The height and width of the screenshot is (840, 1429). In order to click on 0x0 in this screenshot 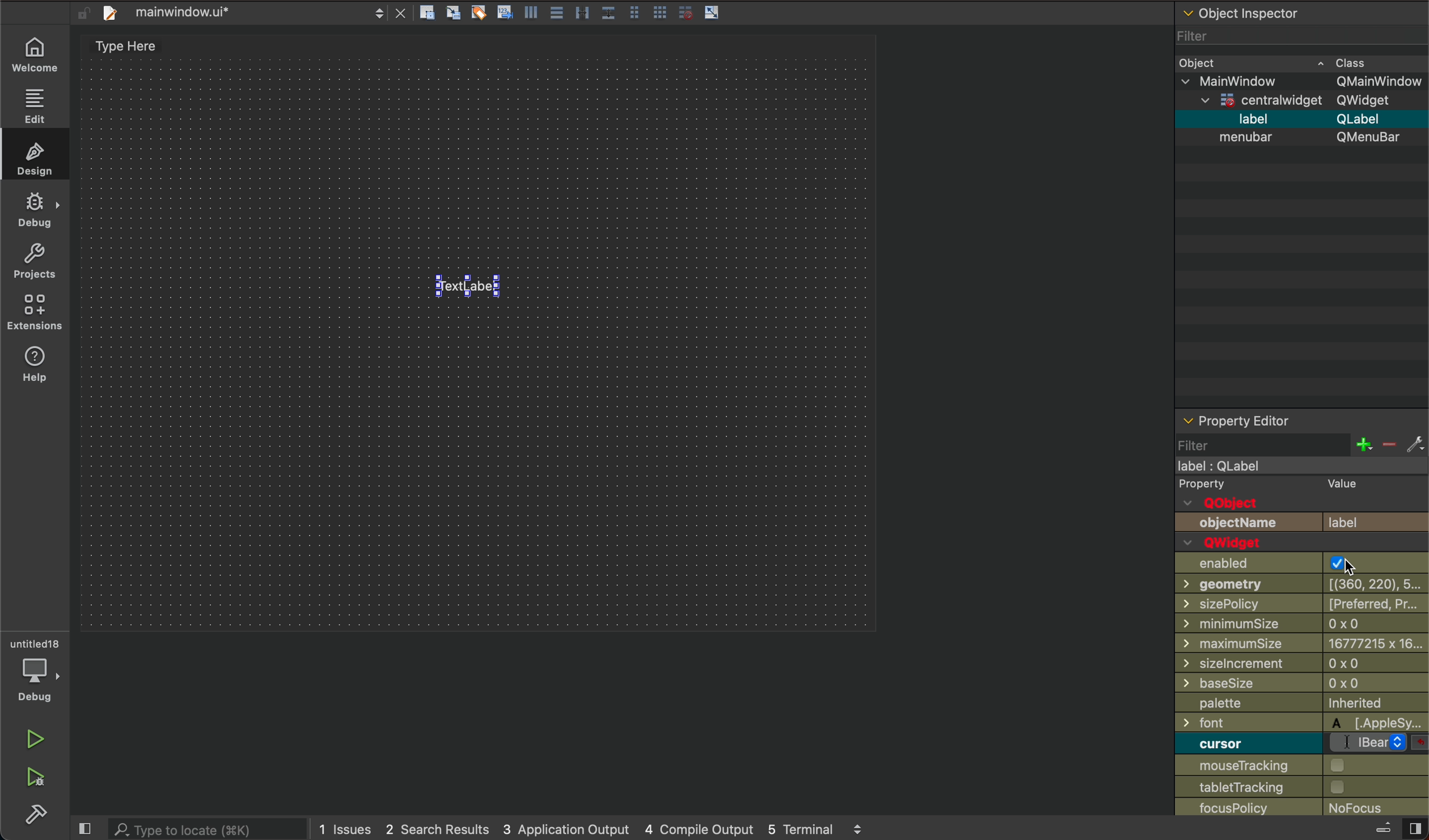, I will do `click(1360, 663)`.